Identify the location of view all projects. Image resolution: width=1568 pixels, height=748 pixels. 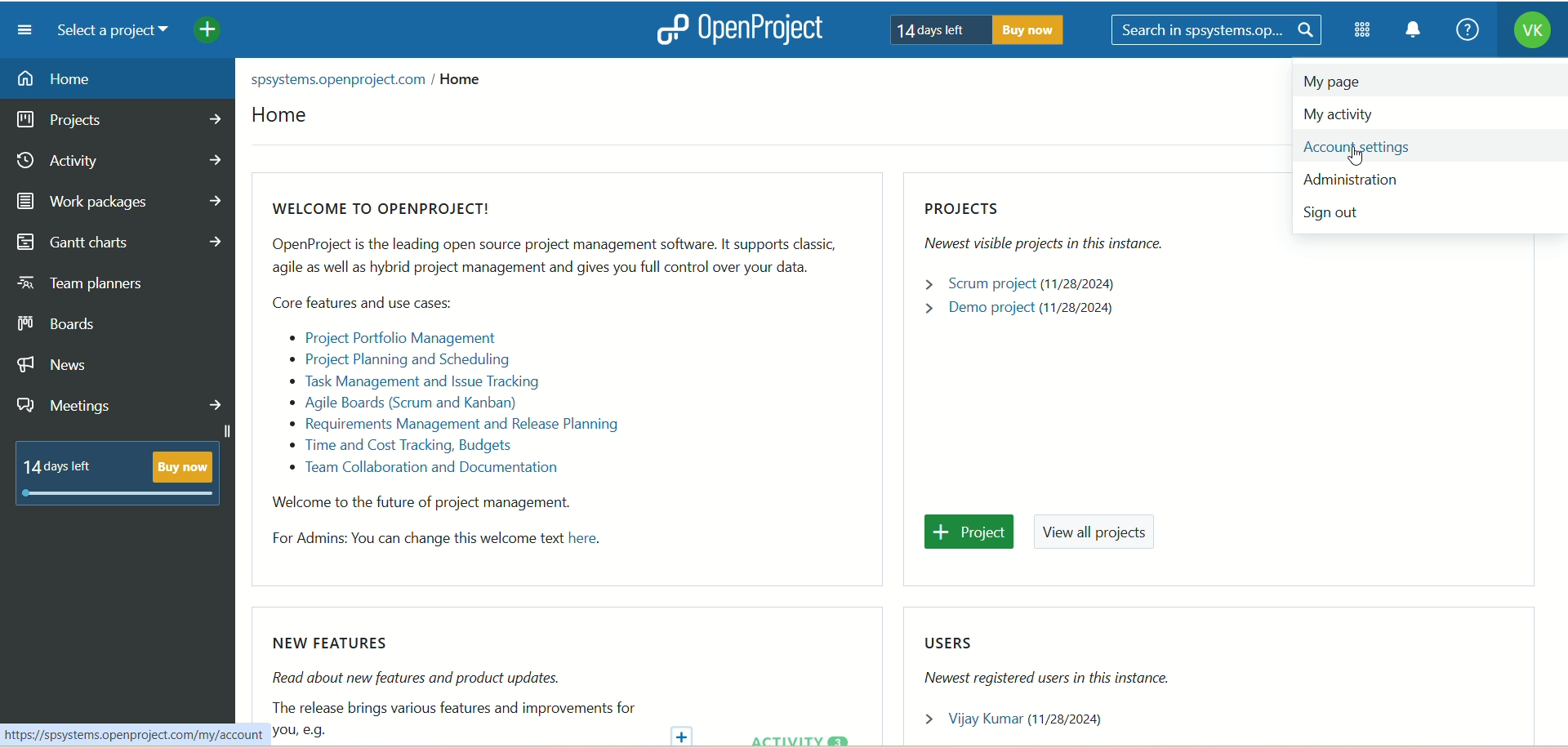
(1099, 535).